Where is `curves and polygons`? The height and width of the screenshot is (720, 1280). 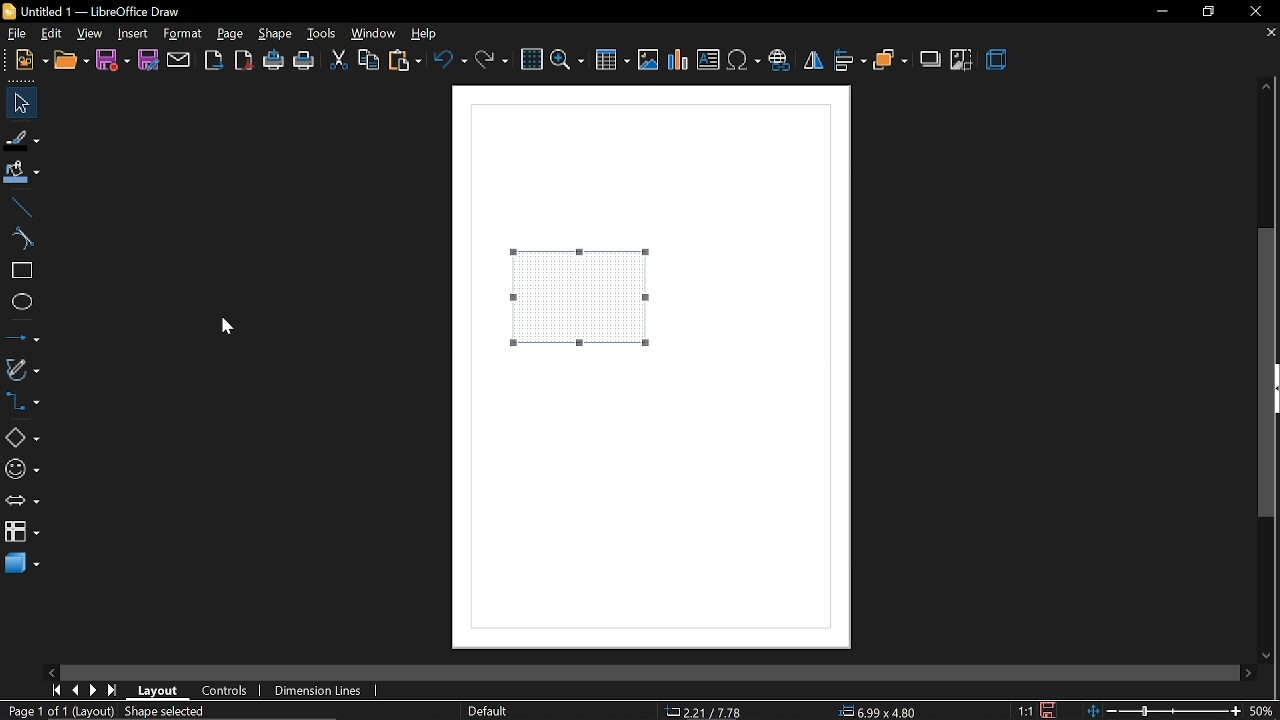
curves and polygons is located at coordinates (22, 368).